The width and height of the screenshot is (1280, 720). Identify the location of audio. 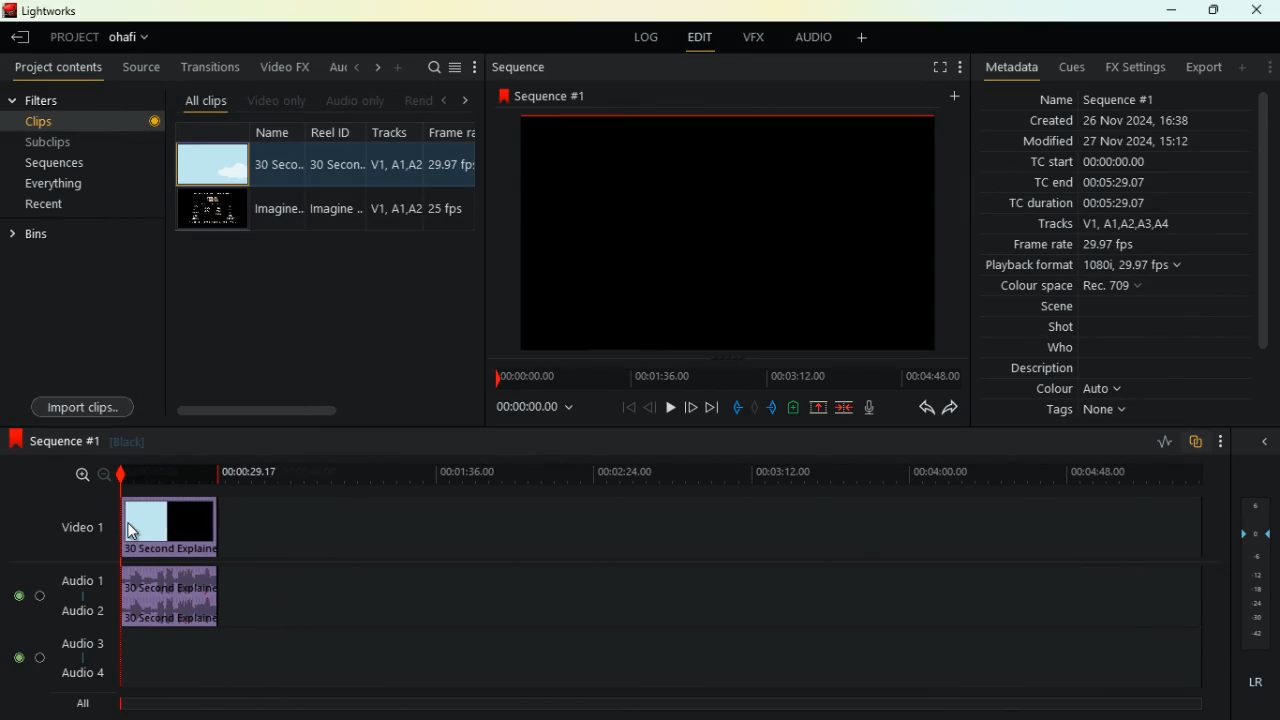
(807, 39).